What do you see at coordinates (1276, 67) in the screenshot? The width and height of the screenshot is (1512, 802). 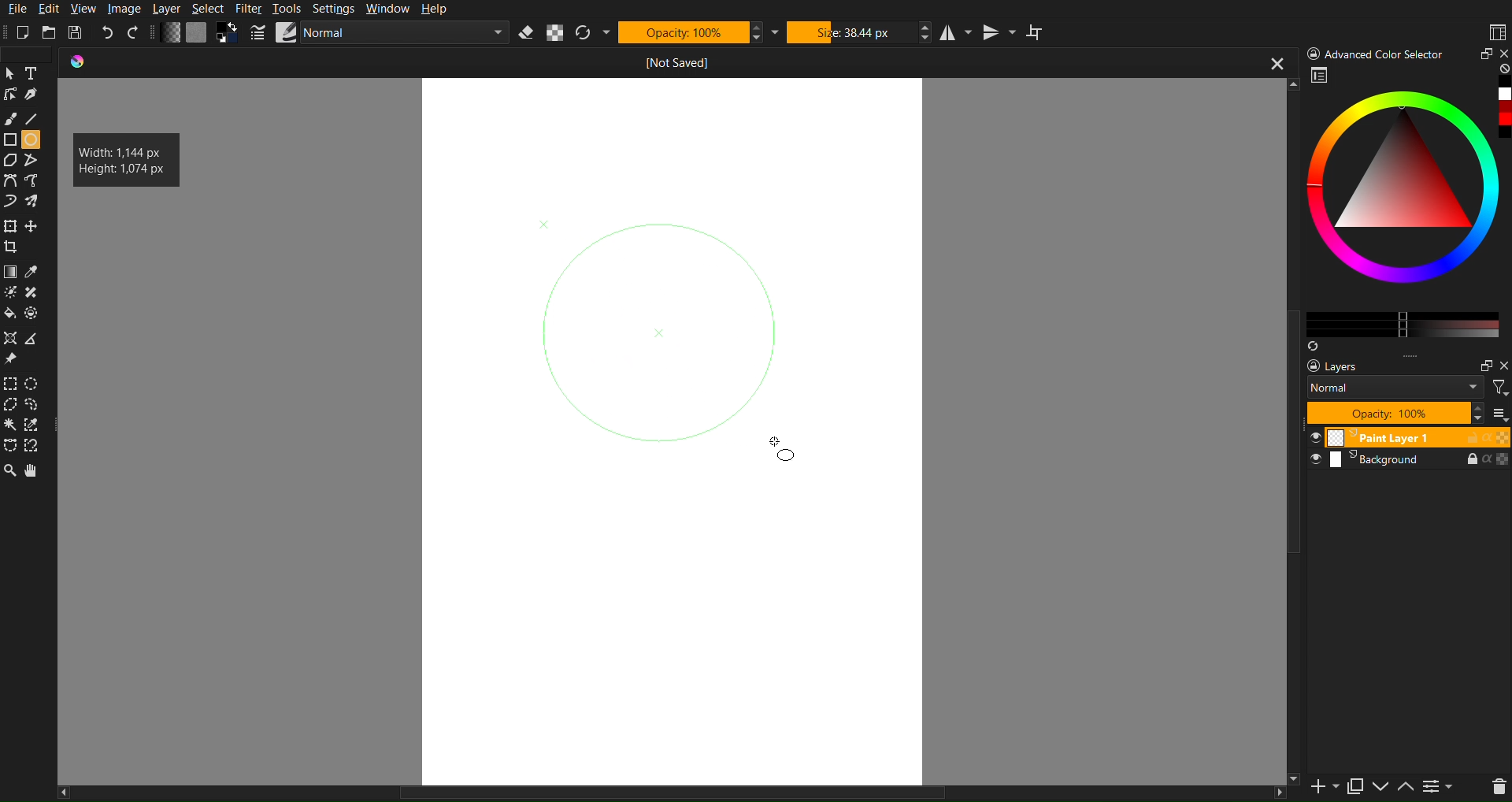 I see `close` at bounding box center [1276, 67].